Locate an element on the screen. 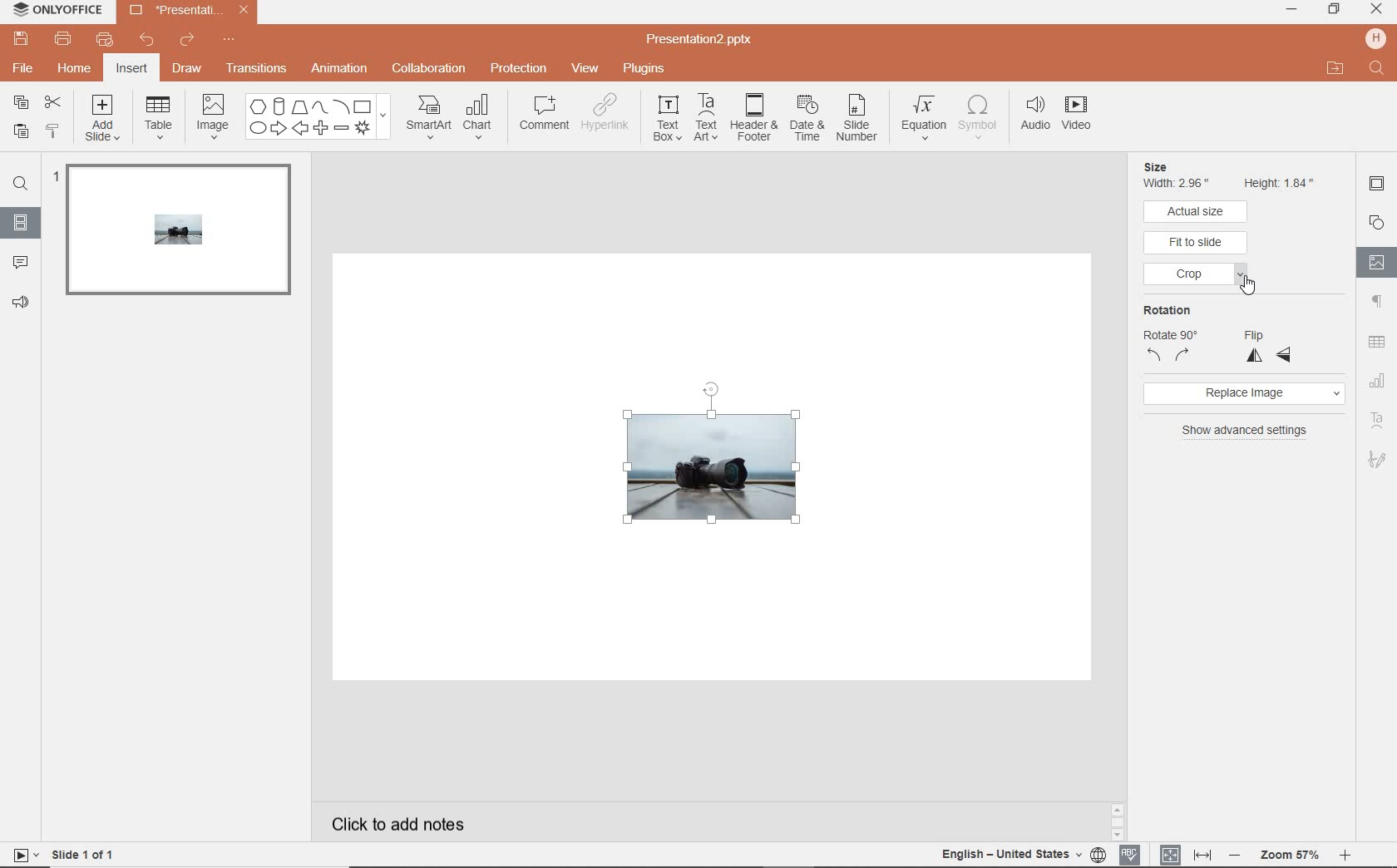 The height and width of the screenshot is (868, 1397). copy is located at coordinates (21, 101).